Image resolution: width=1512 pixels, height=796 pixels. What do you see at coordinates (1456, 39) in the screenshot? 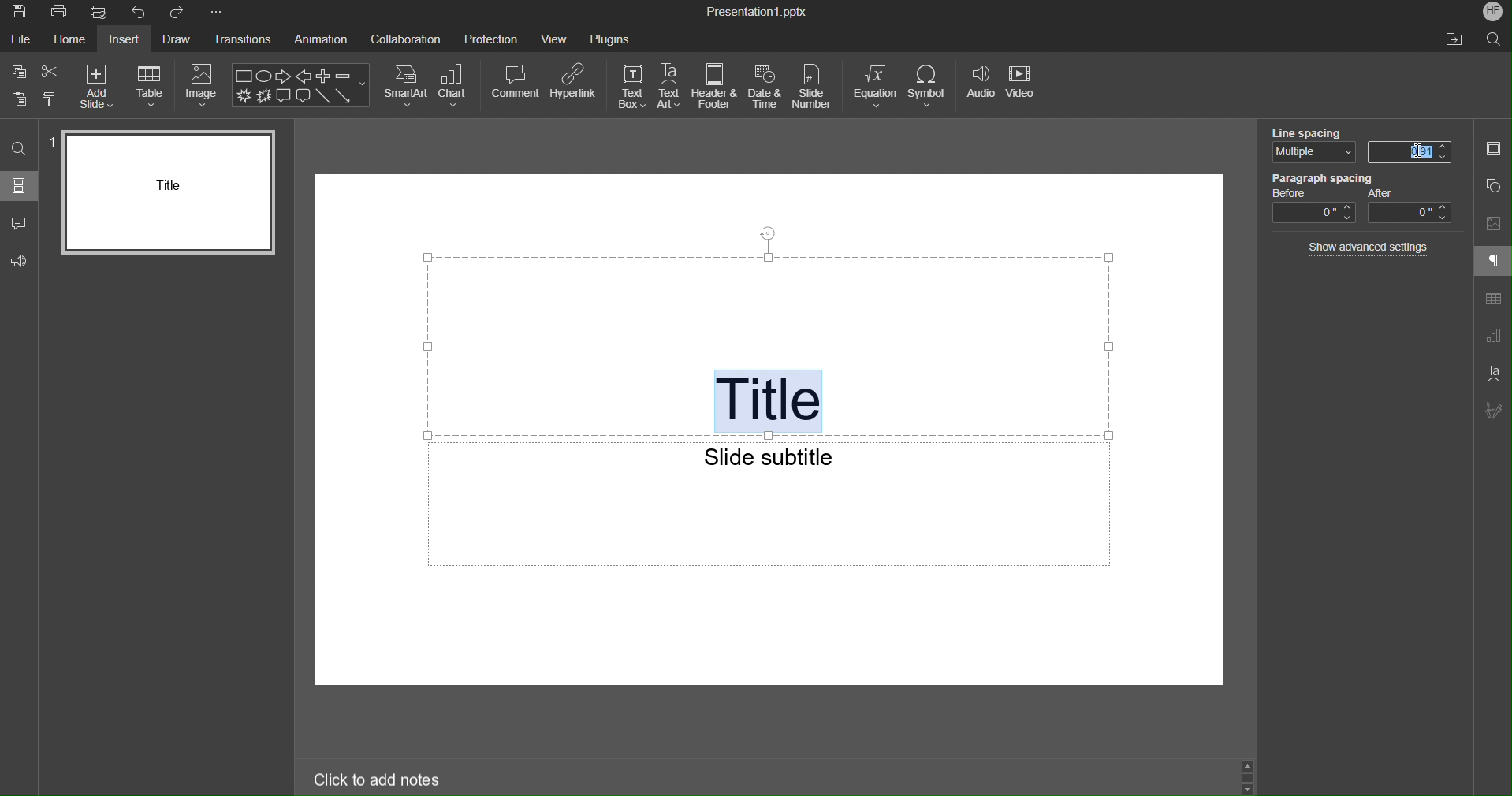
I see `Open file location` at bounding box center [1456, 39].